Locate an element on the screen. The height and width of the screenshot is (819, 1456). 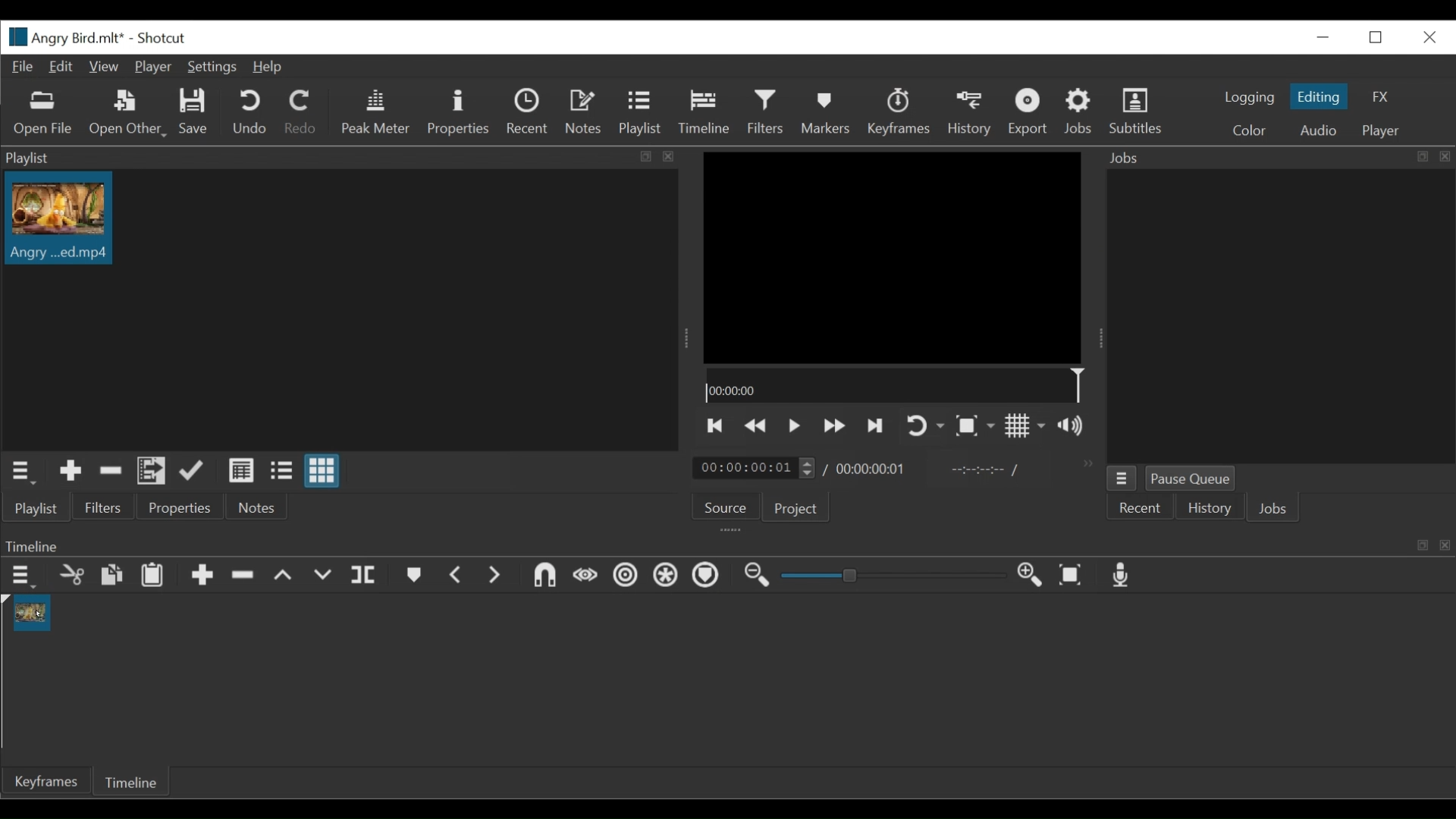
player is located at coordinates (1381, 130).